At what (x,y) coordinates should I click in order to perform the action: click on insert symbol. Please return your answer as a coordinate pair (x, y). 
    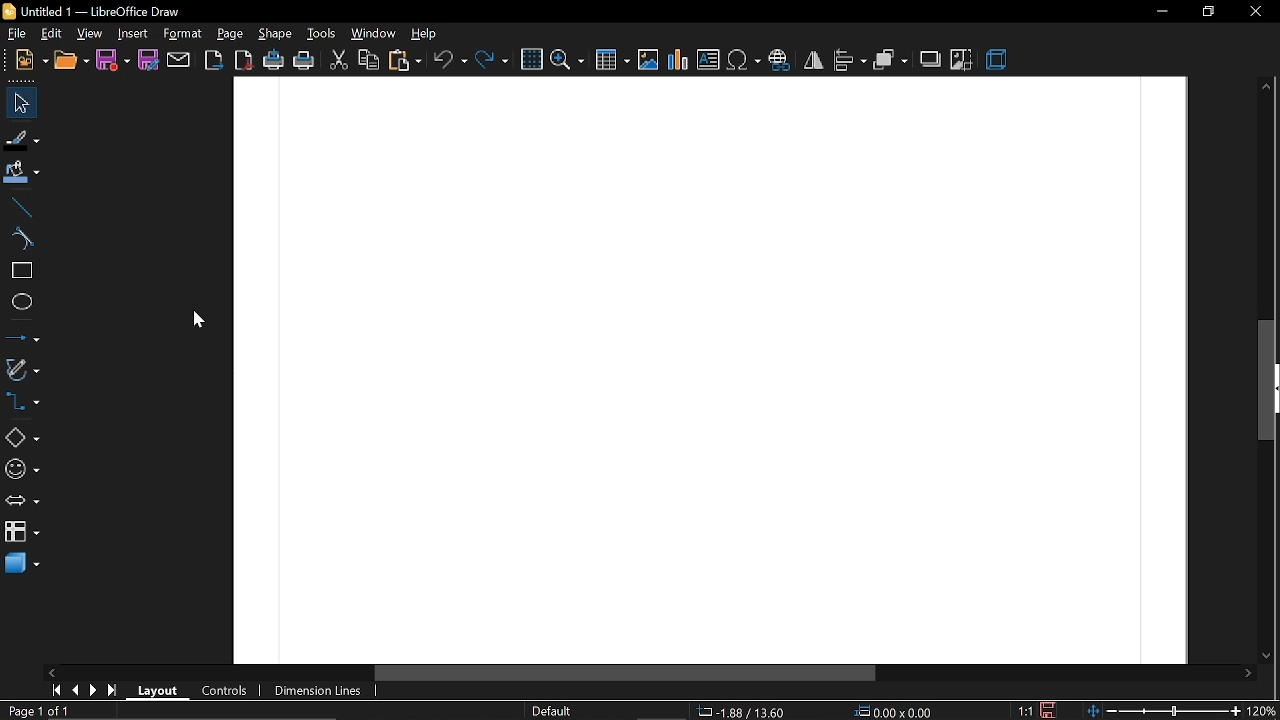
    Looking at the image, I should click on (745, 61).